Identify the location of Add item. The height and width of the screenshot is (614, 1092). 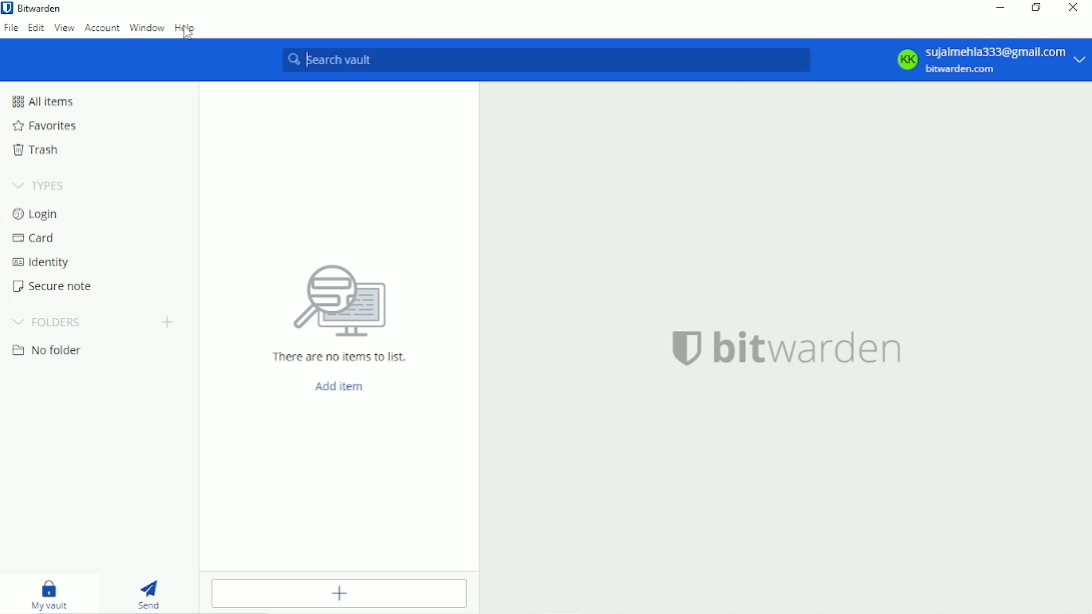
(341, 593).